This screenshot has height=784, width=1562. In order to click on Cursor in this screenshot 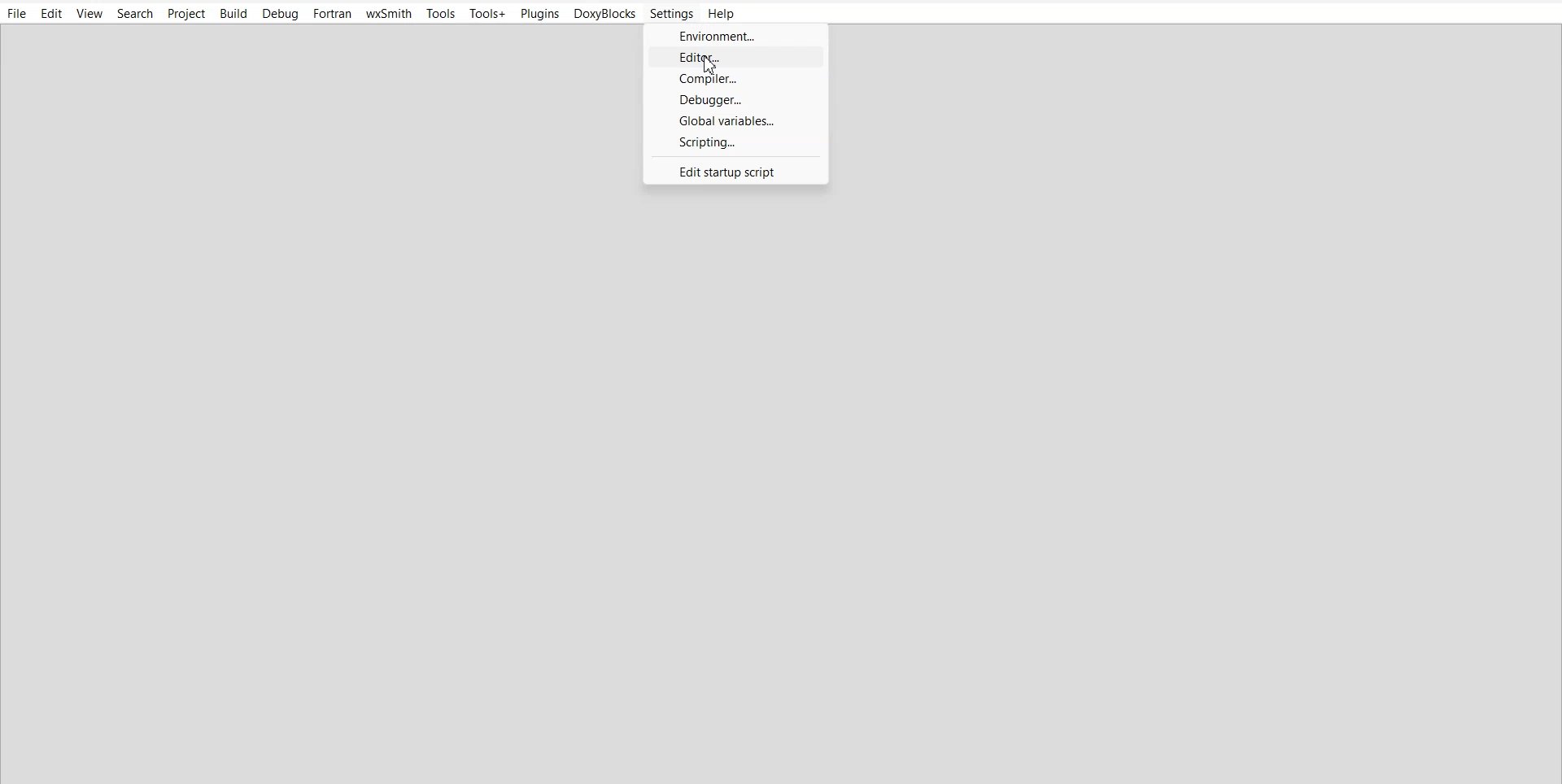, I will do `click(711, 66)`.